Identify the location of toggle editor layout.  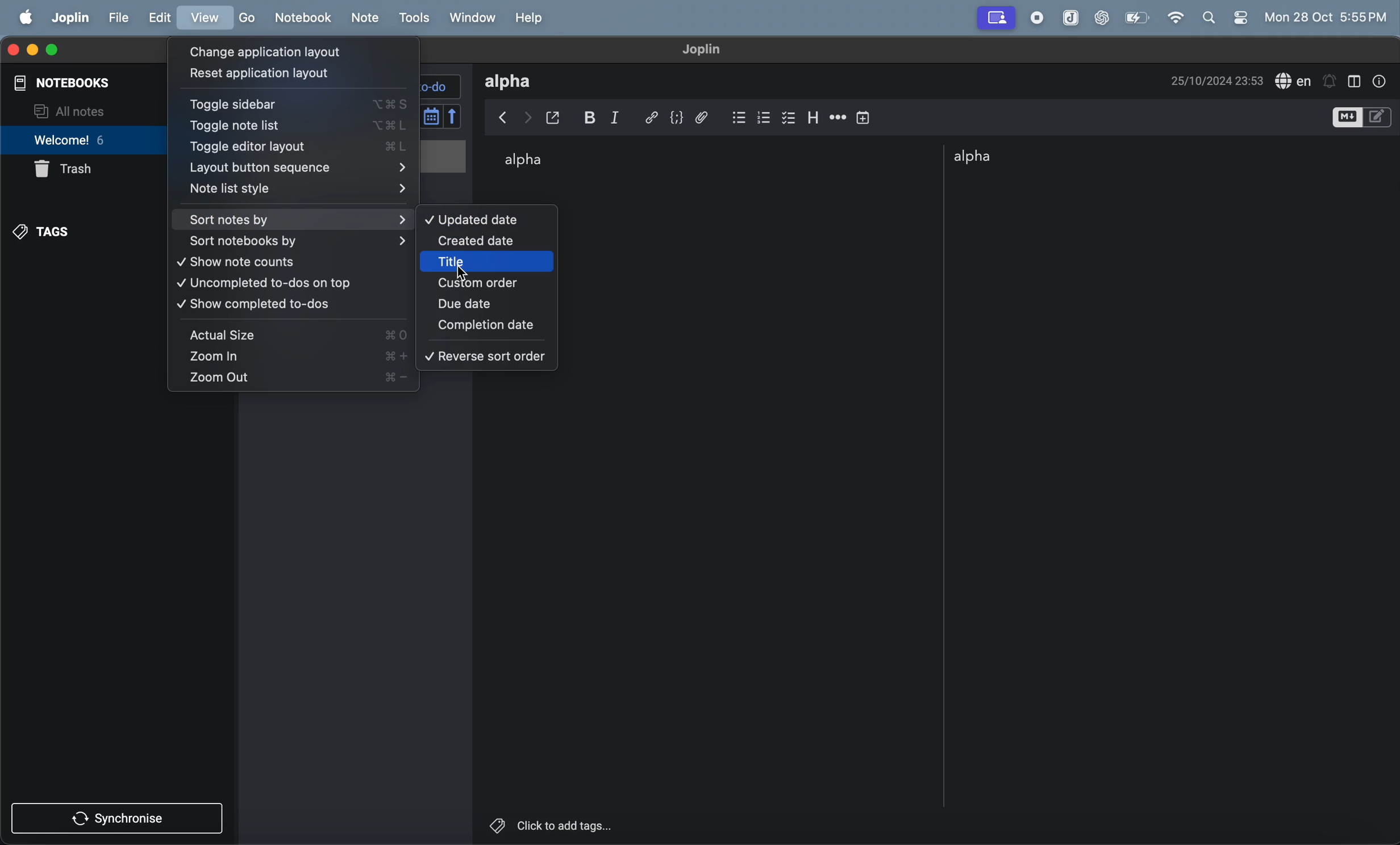
(303, 148).